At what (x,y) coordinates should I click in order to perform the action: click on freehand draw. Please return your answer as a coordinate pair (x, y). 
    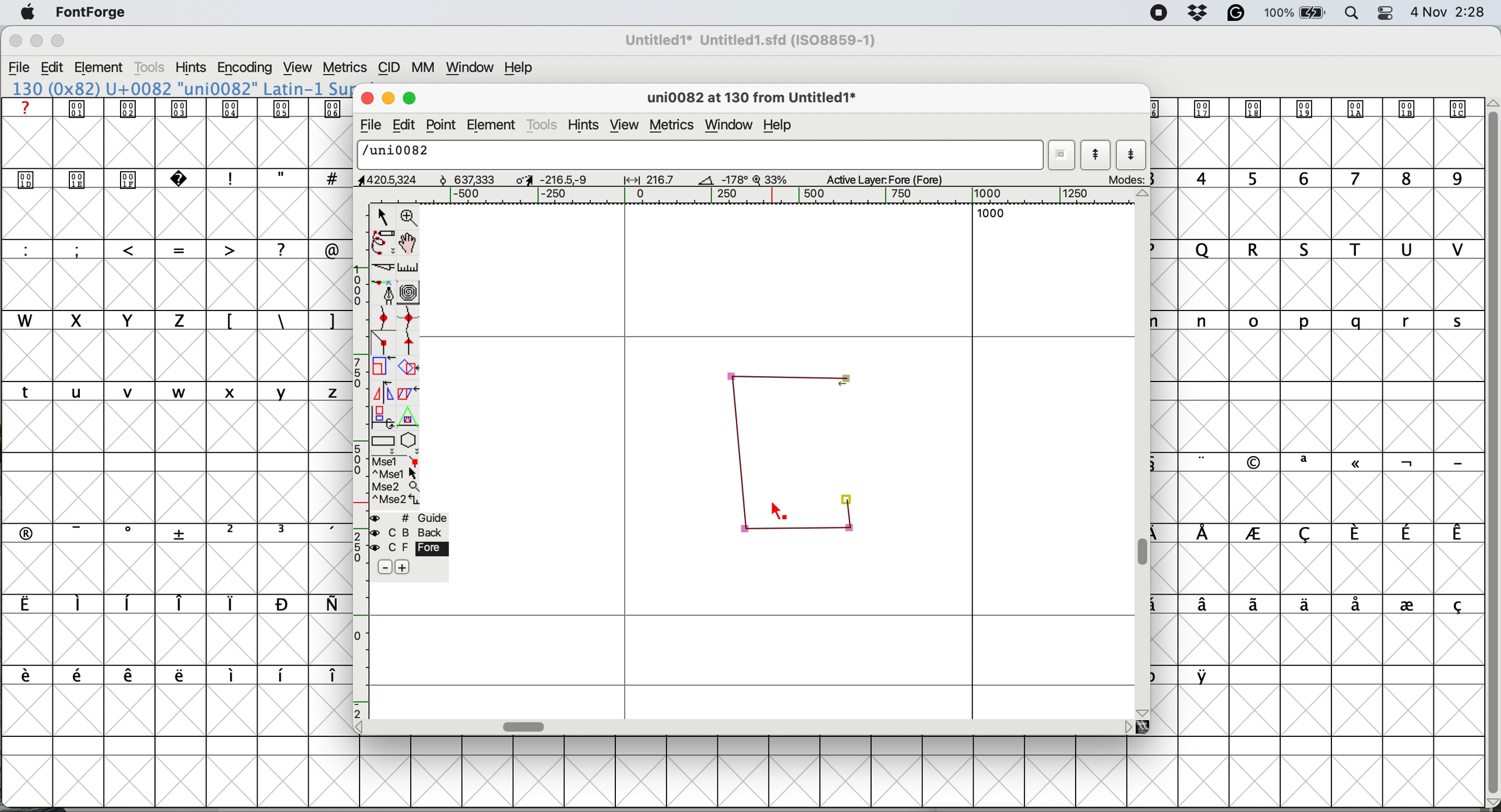
    Looking at the image, I should click on (385, 243).